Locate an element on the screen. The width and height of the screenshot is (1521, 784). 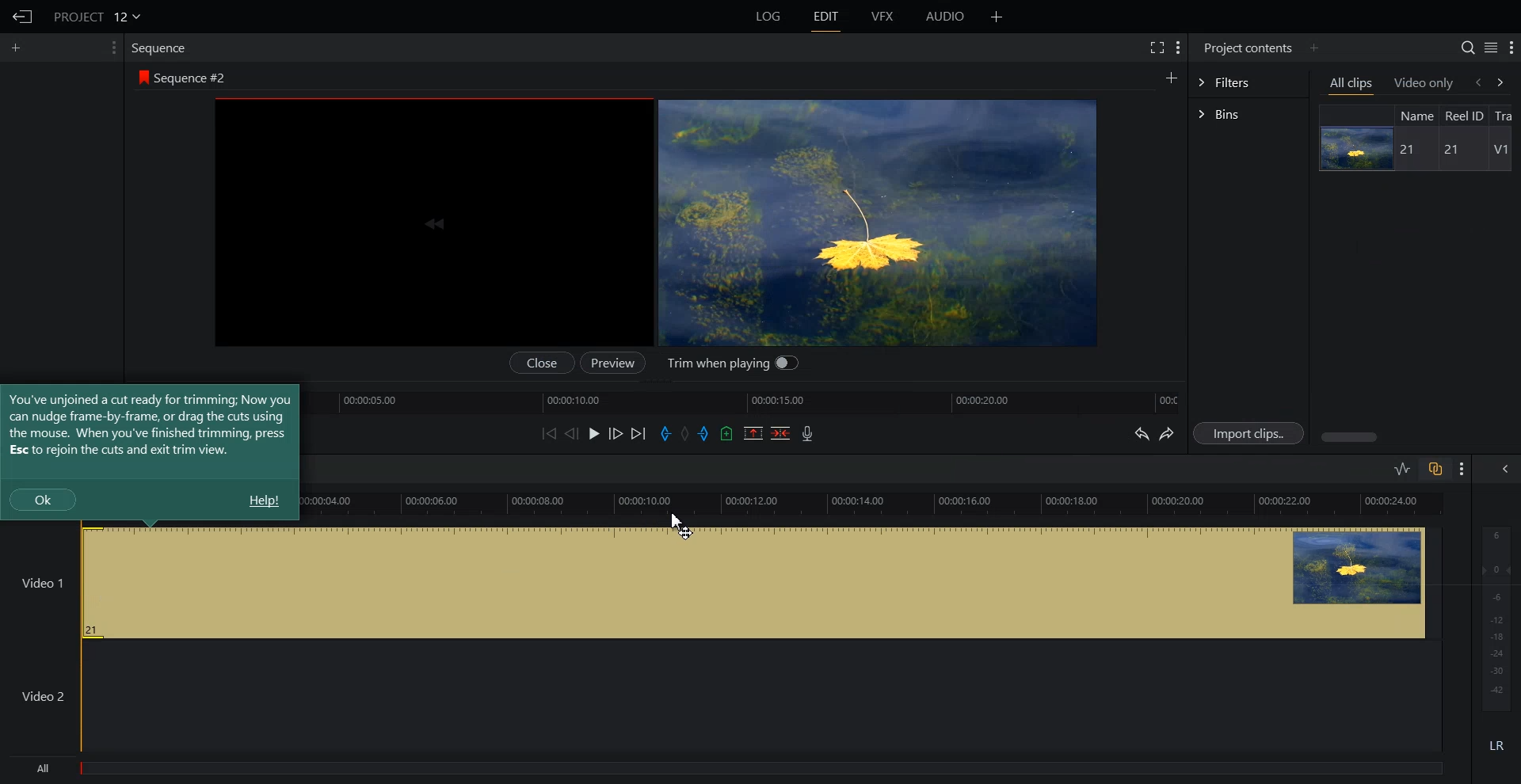
Horizontal Scroll bar is located at coordinates (1417, 437).